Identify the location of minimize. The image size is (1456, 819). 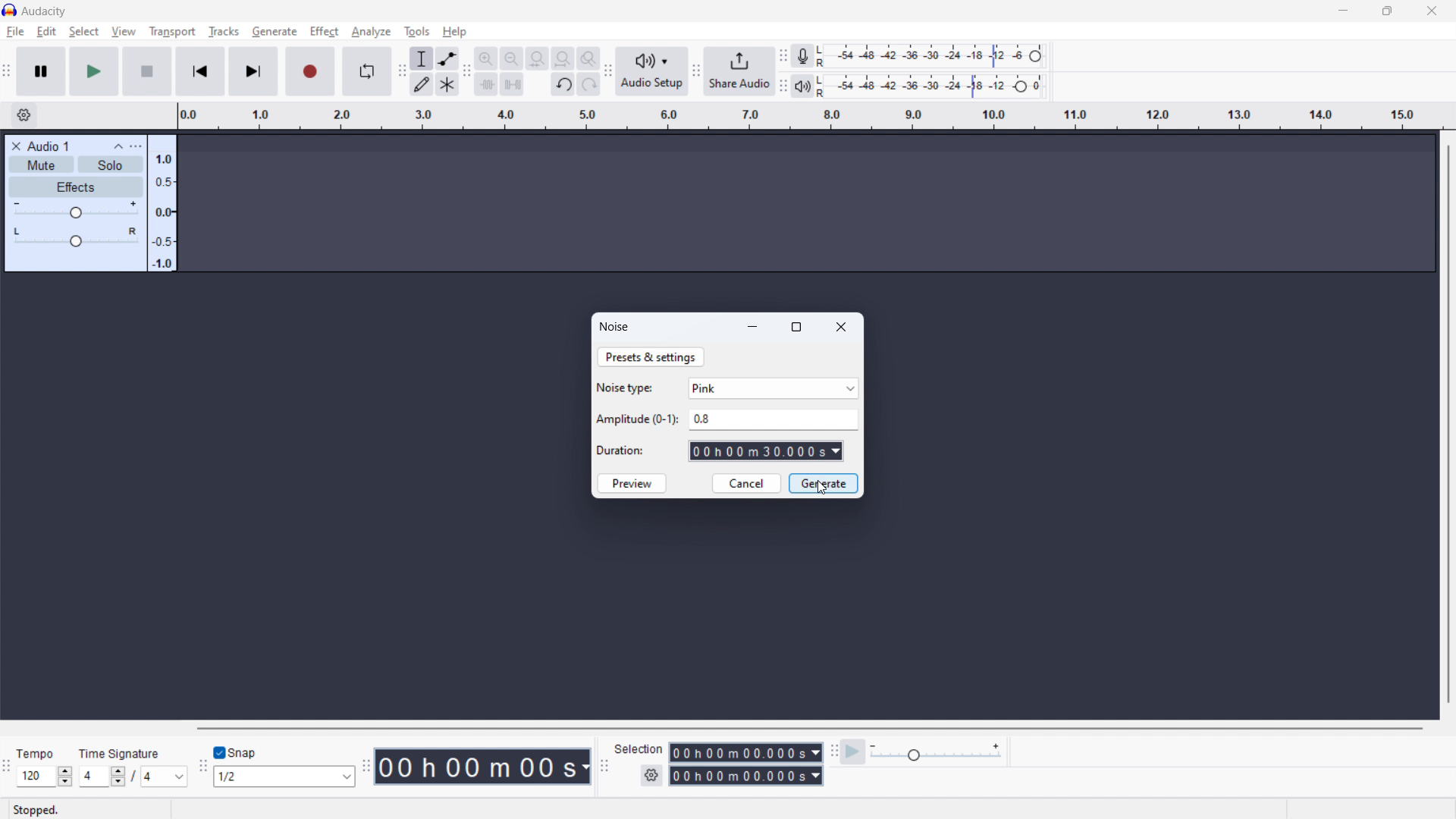
(754, 326).